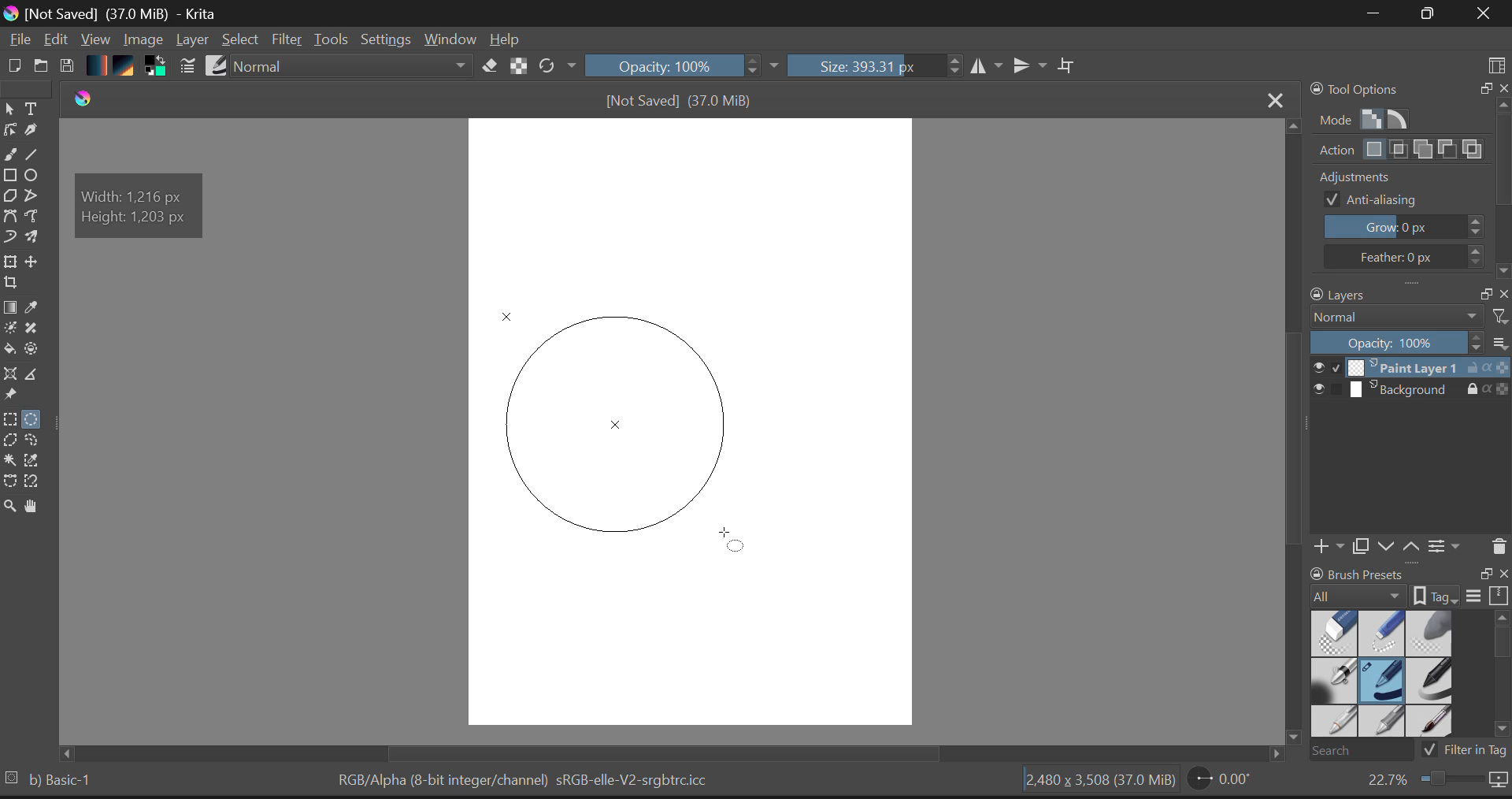  I want to click on Zoom, so click(1435, 783).